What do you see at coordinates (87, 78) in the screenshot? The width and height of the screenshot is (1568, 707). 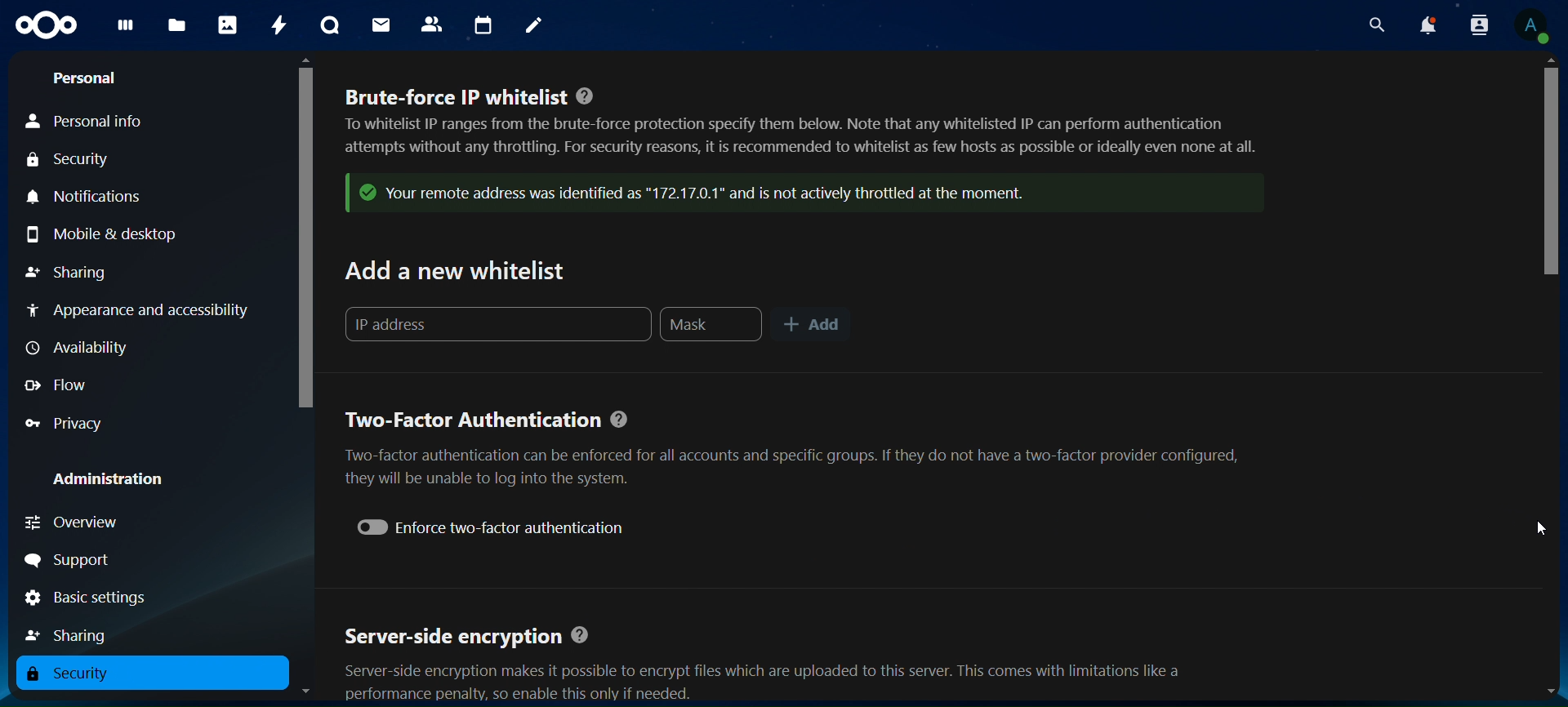 I see `personal` at bounding box center [87, 78].